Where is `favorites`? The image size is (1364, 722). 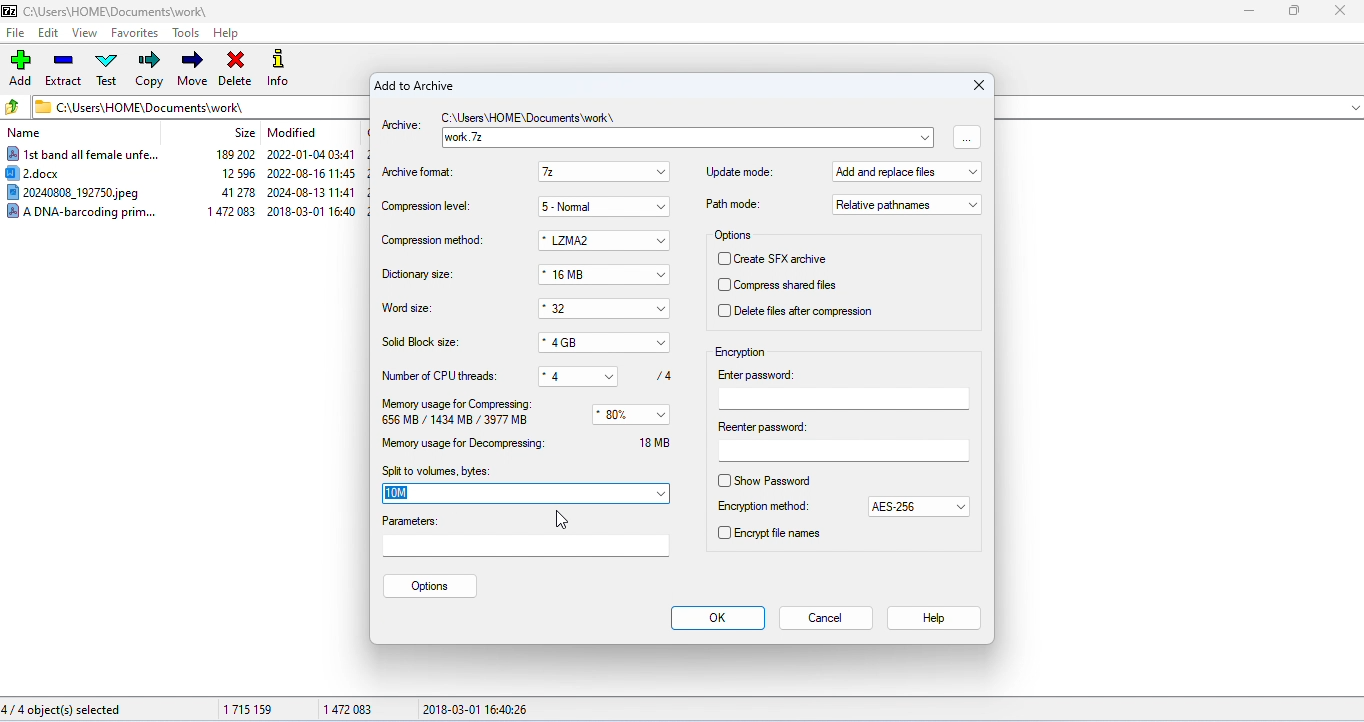 favorites is located at coordinates (136, 32).